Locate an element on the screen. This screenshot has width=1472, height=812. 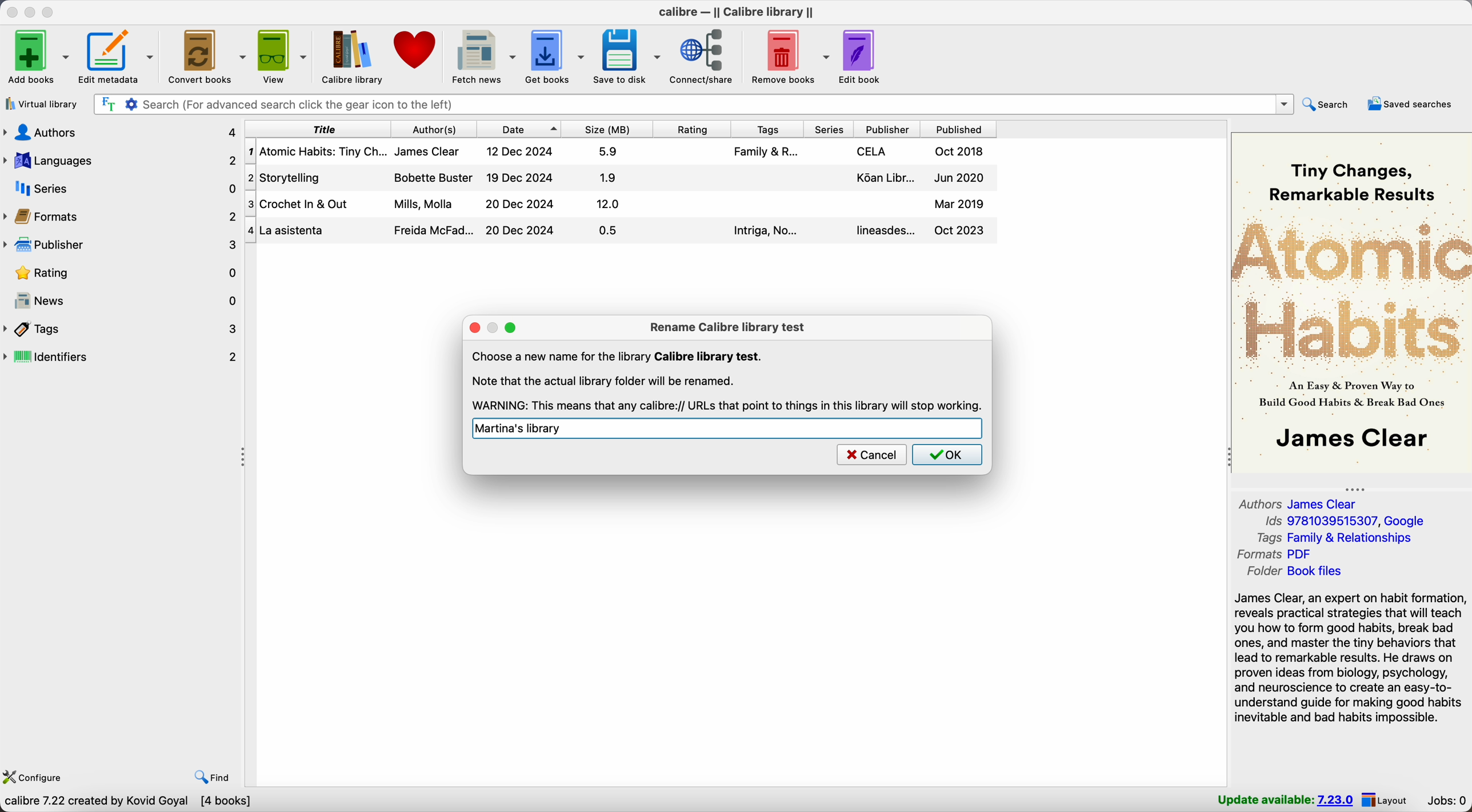
connect/share is located at coordinates (706, 57).